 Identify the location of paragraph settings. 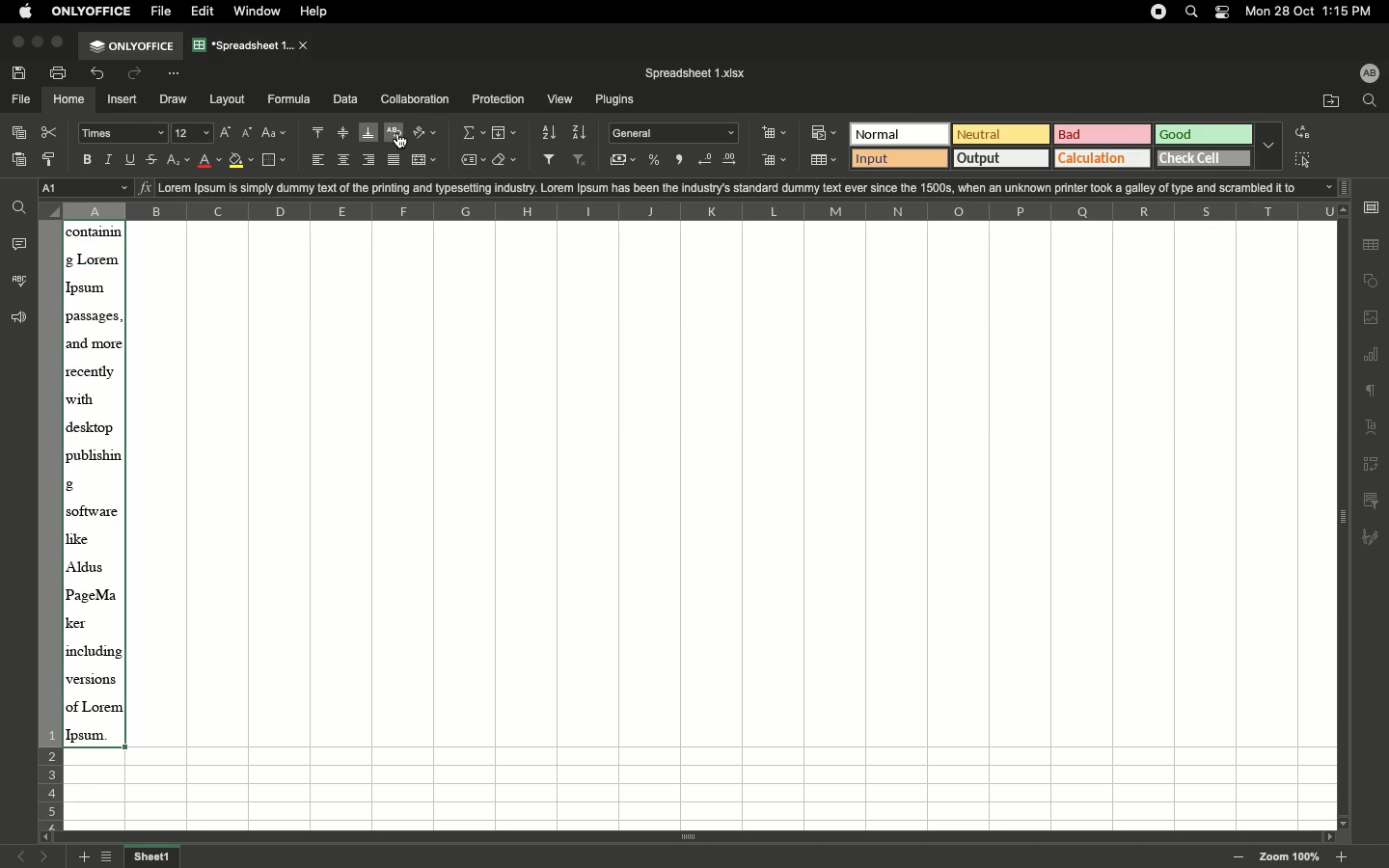
(1371, 207).